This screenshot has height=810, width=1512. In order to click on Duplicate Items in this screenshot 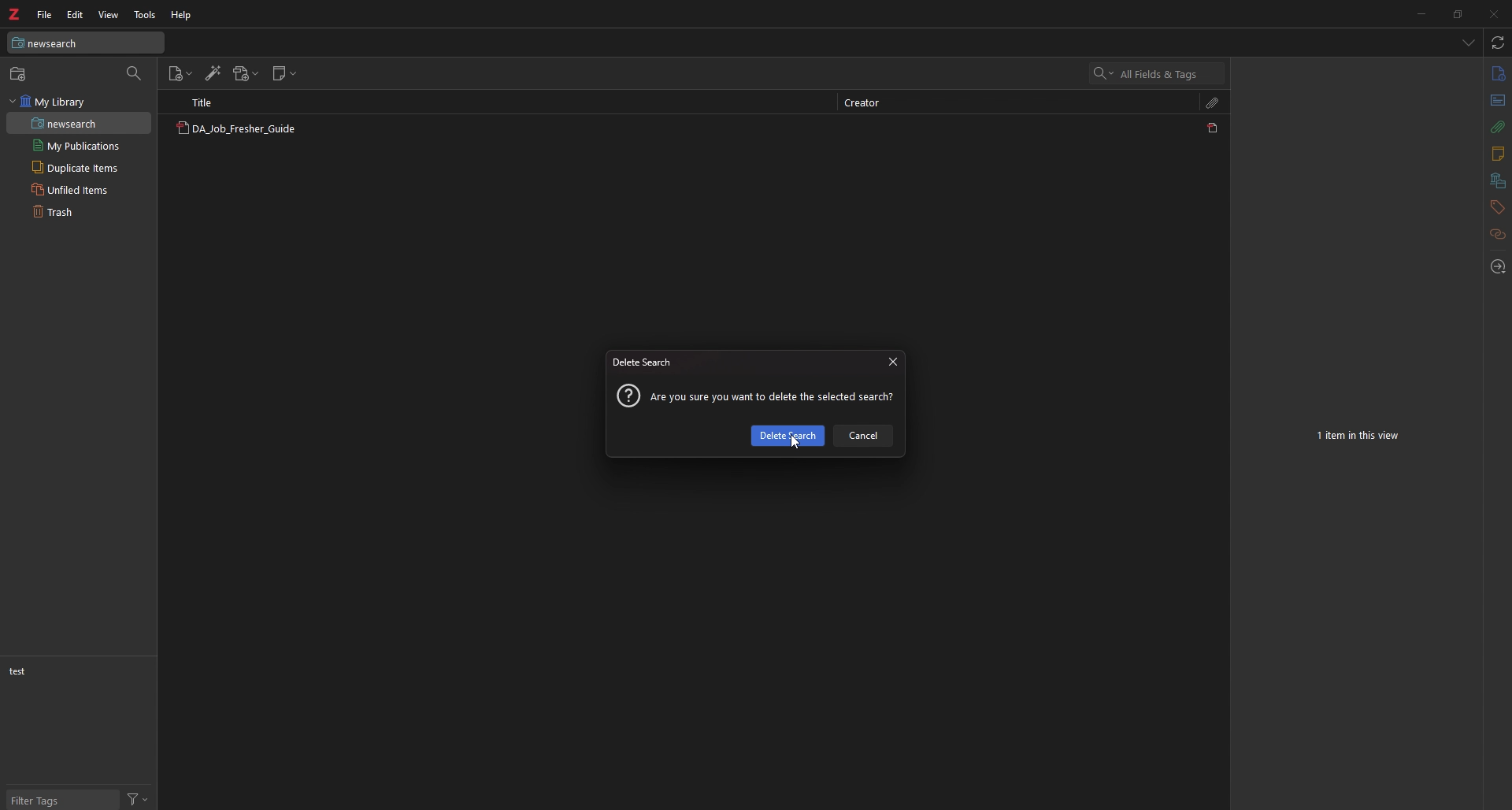, I will do `click(76, 166)`.